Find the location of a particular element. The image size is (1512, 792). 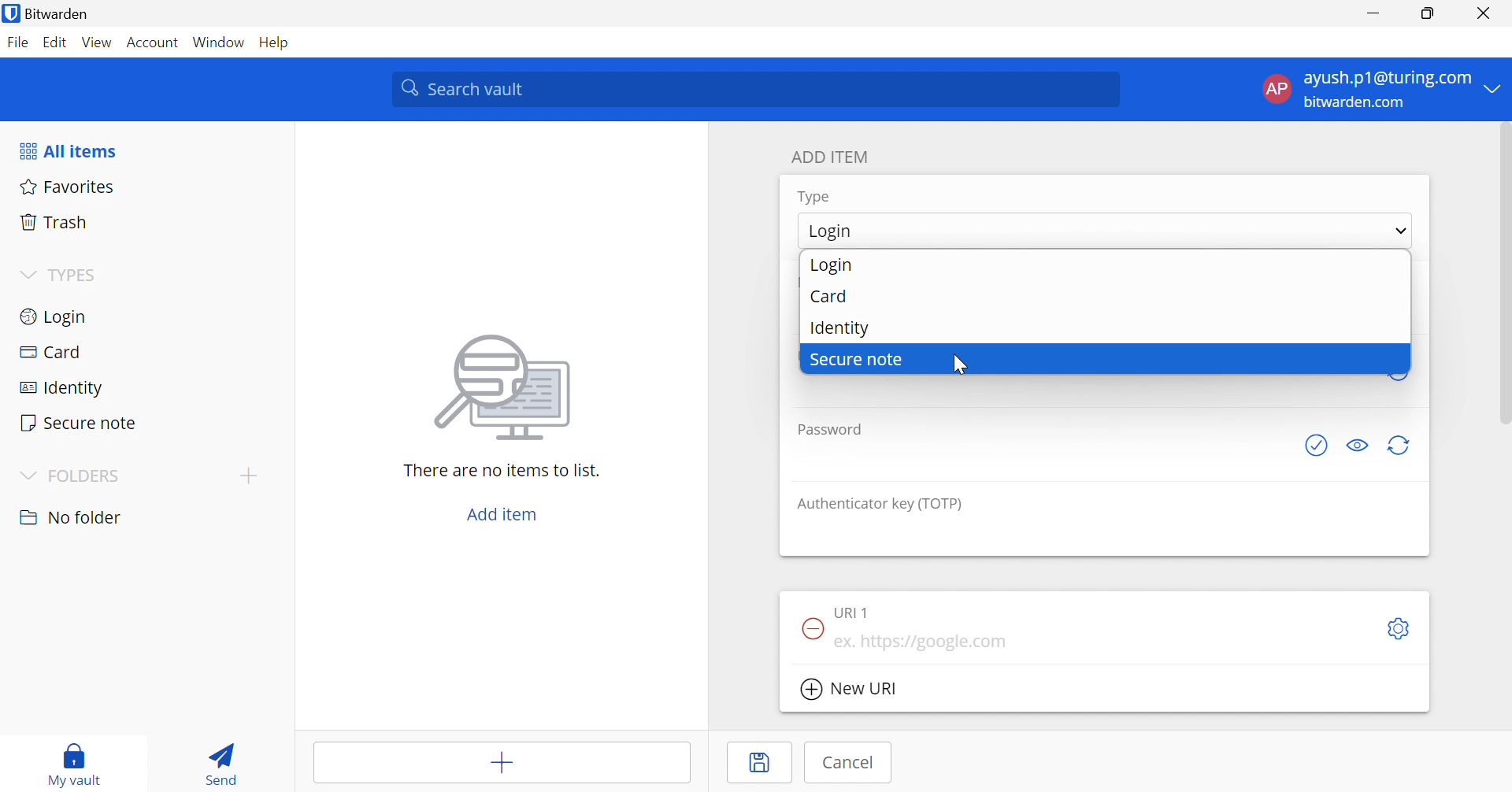

Window is located at coordinates (220, 42).